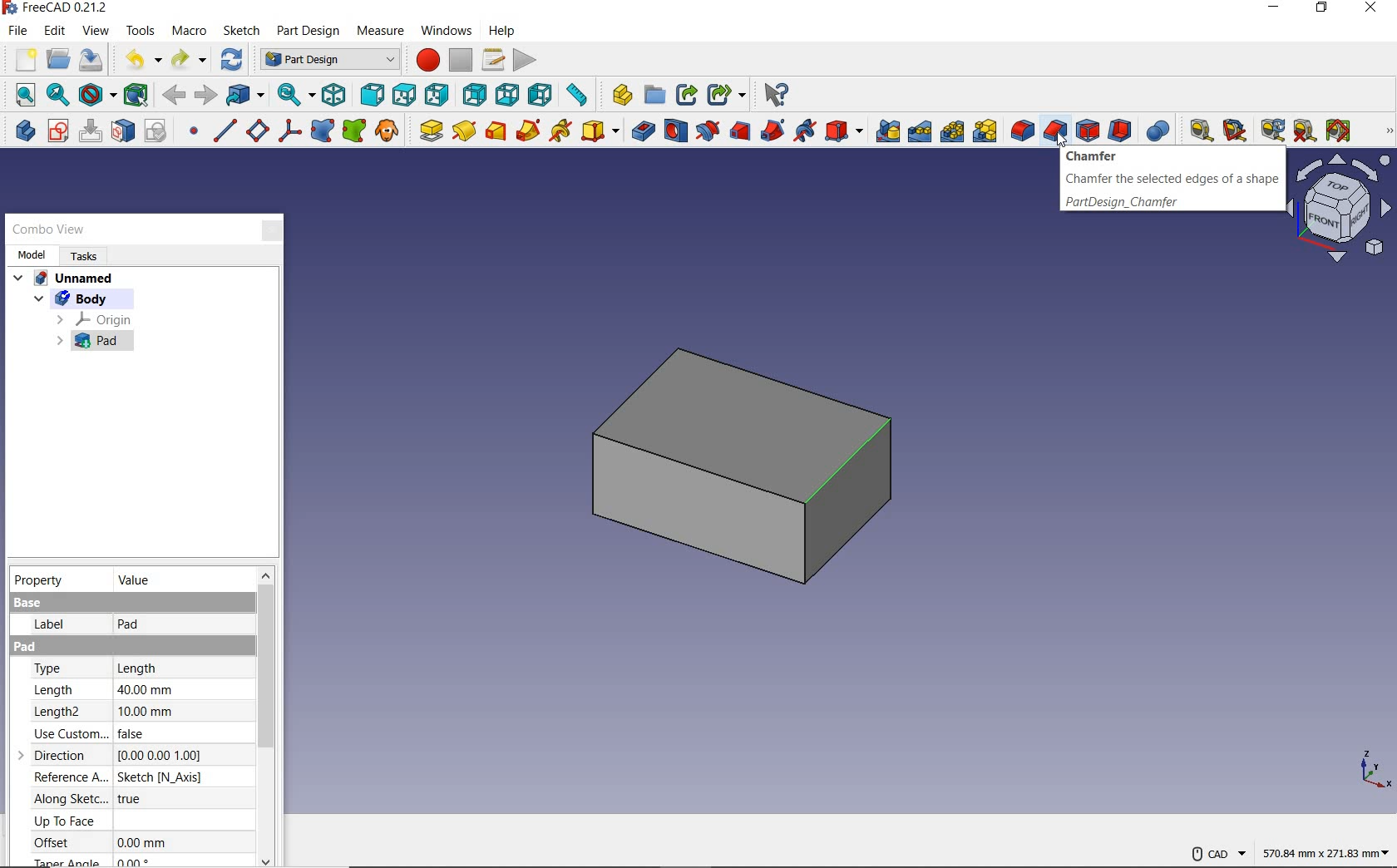  Describe the element at coordinates (777, 94) in the screenshot. I see `what's this?` at that location.